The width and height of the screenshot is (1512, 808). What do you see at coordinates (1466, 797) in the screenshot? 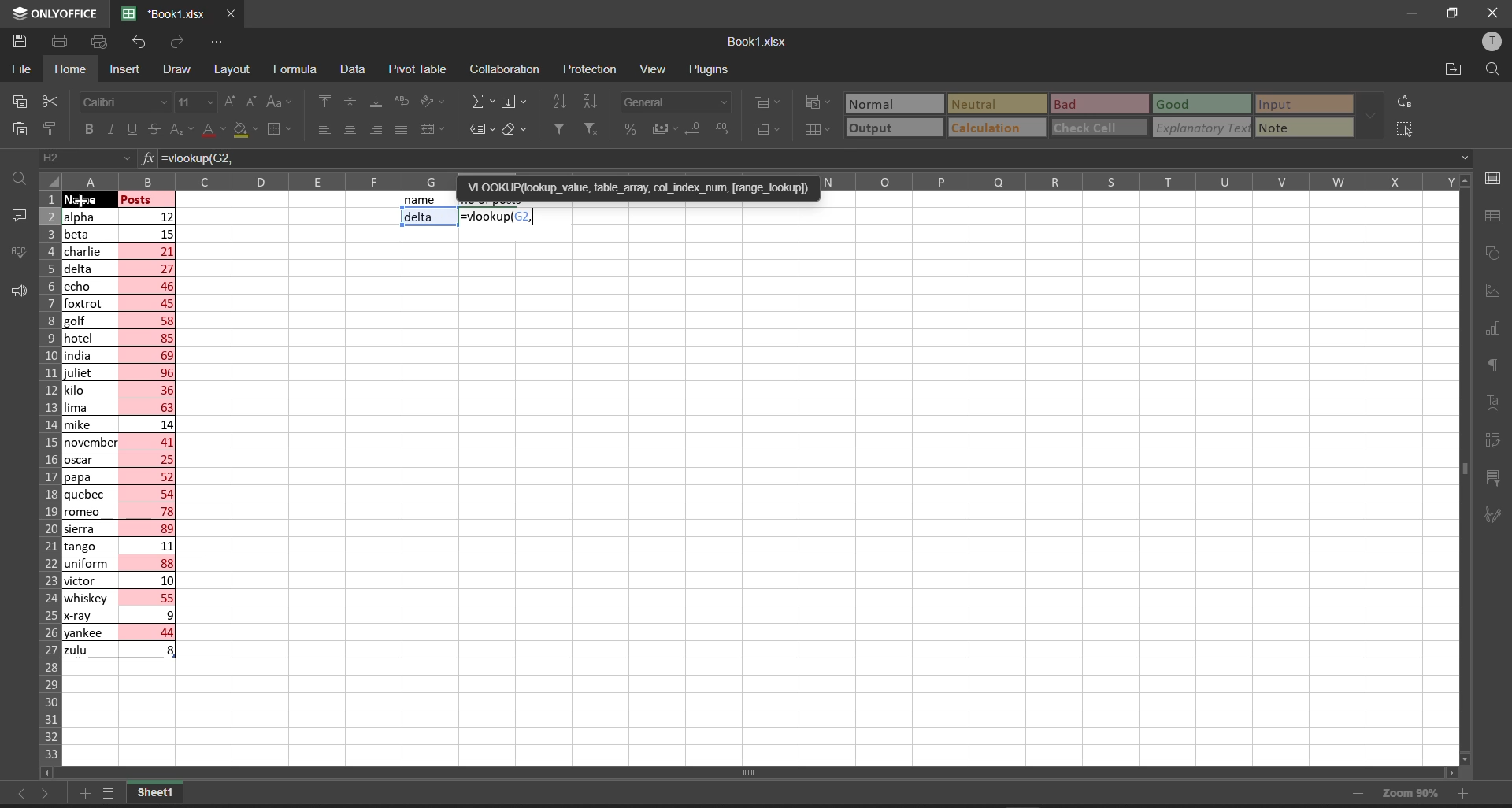
I see `zoom in` at bounding box center [1466, 797].